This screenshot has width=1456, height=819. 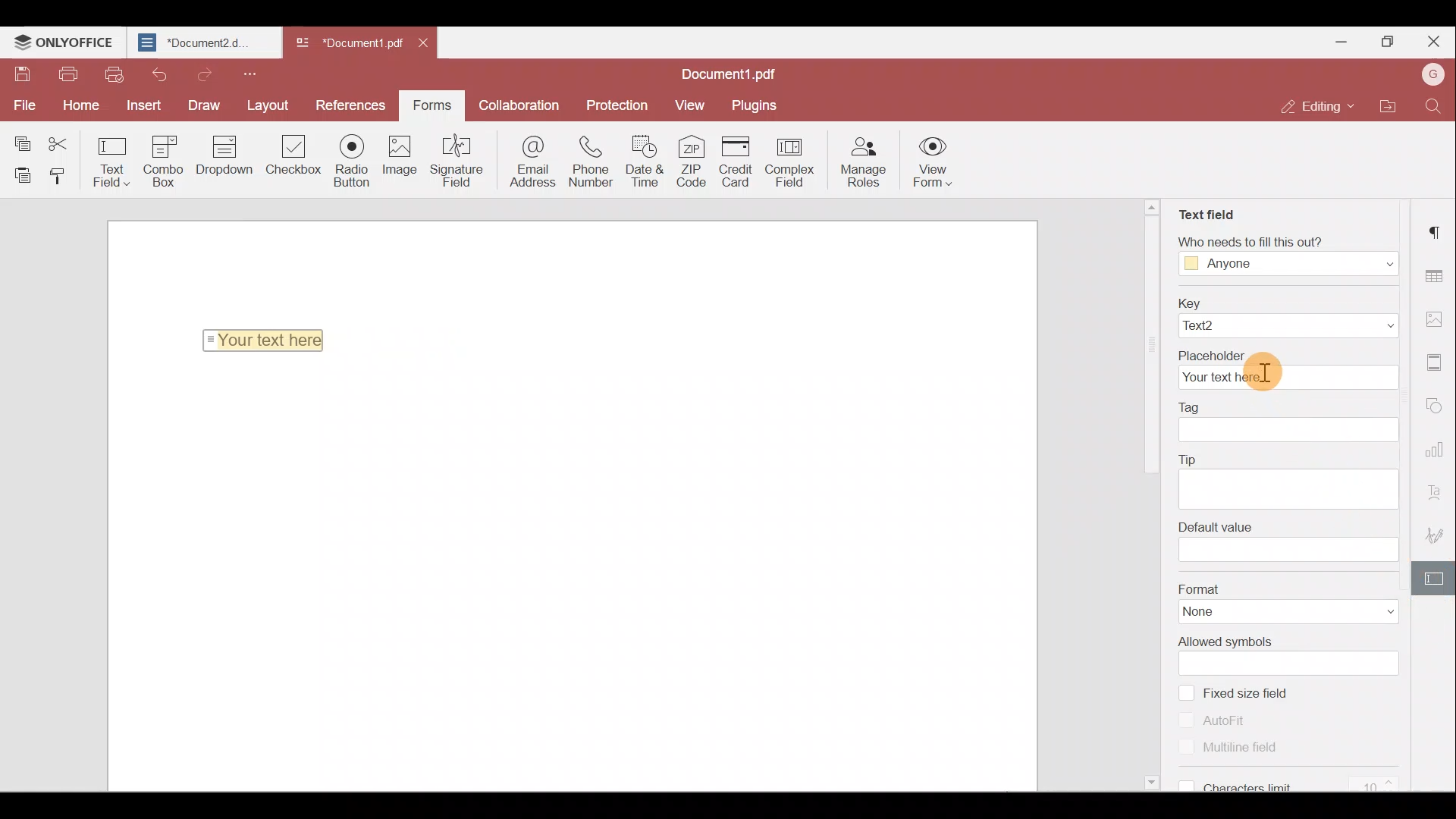 I want to click on Fixed size field, so click(x=1261, y=692).